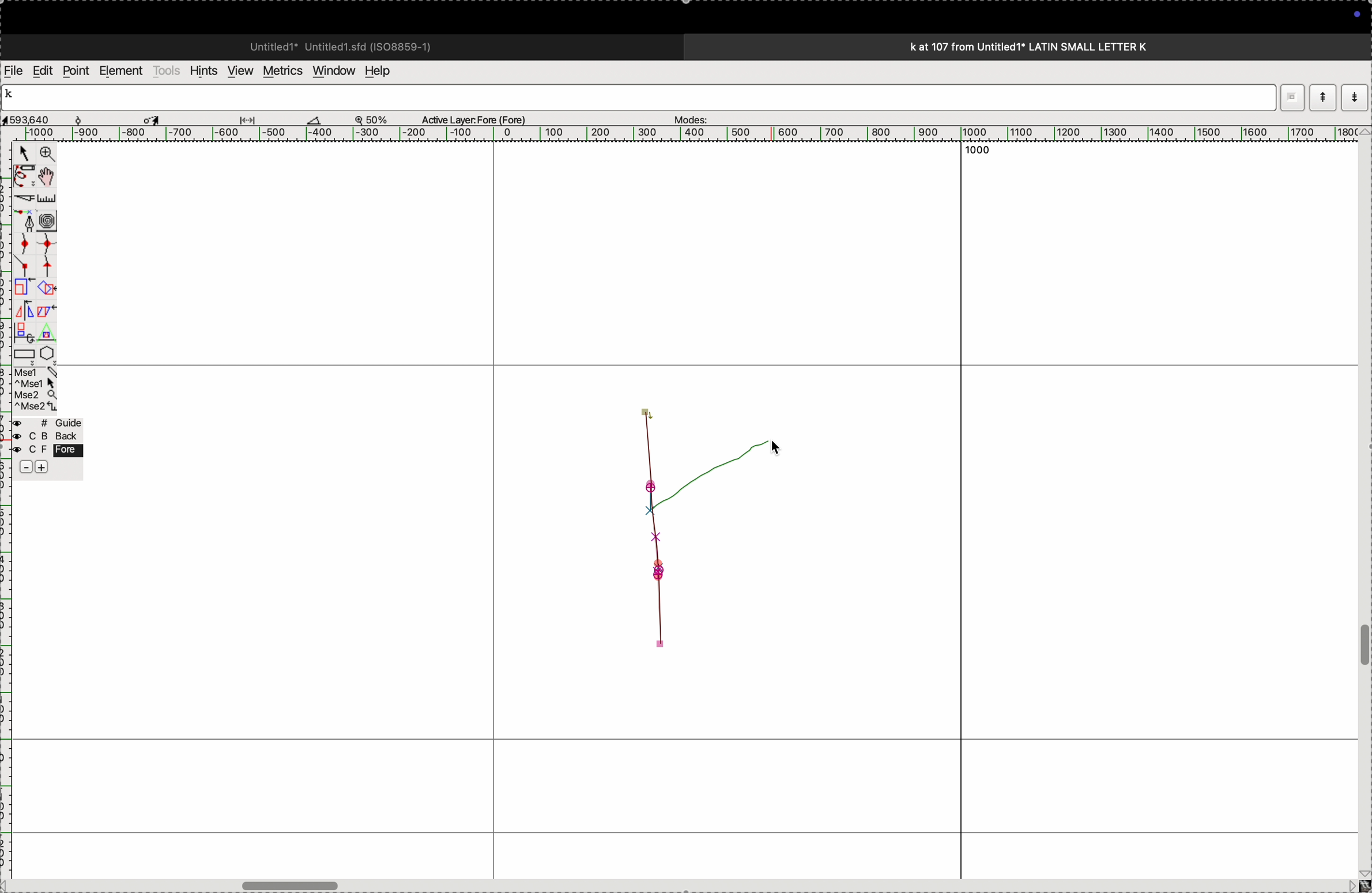 Image resolution: width=1372 pixels, height=893 pixels. Describe the element at coordinates (687, 116) in the screenshot. I see `modes` at that location.